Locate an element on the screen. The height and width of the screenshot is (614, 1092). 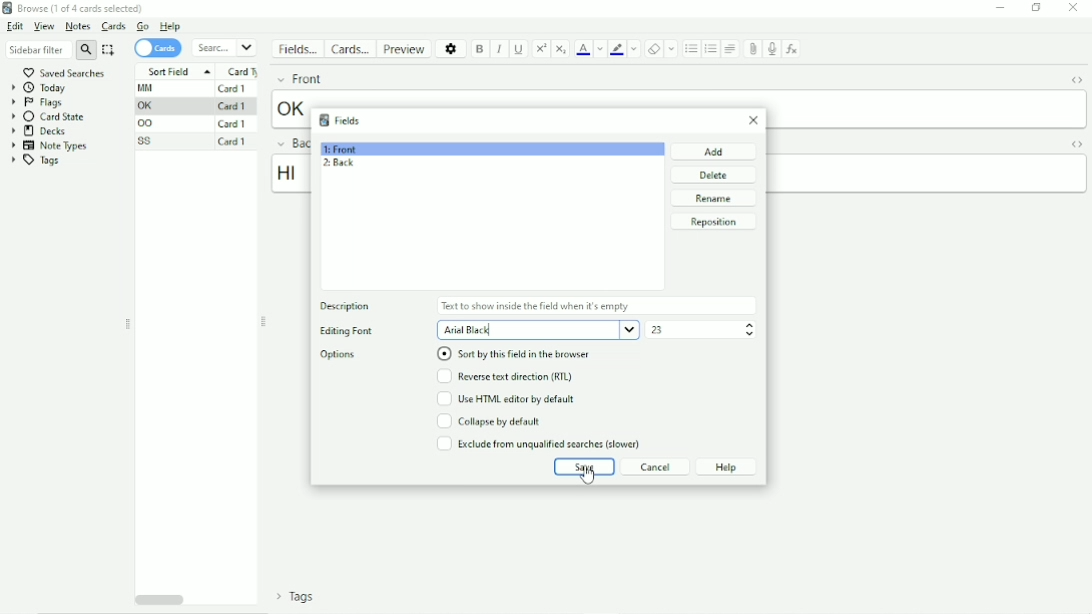
Add is located at coordinates (713, 151).